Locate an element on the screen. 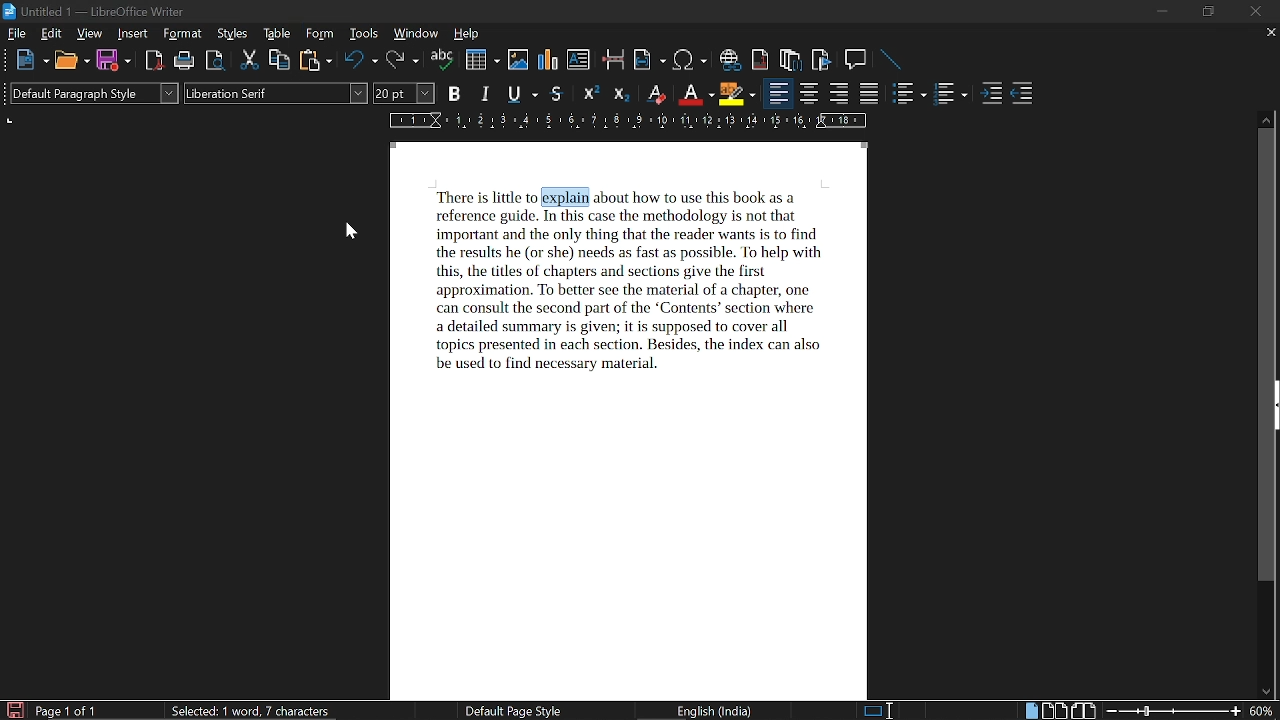  default page style is located at coordinates (512, 711).